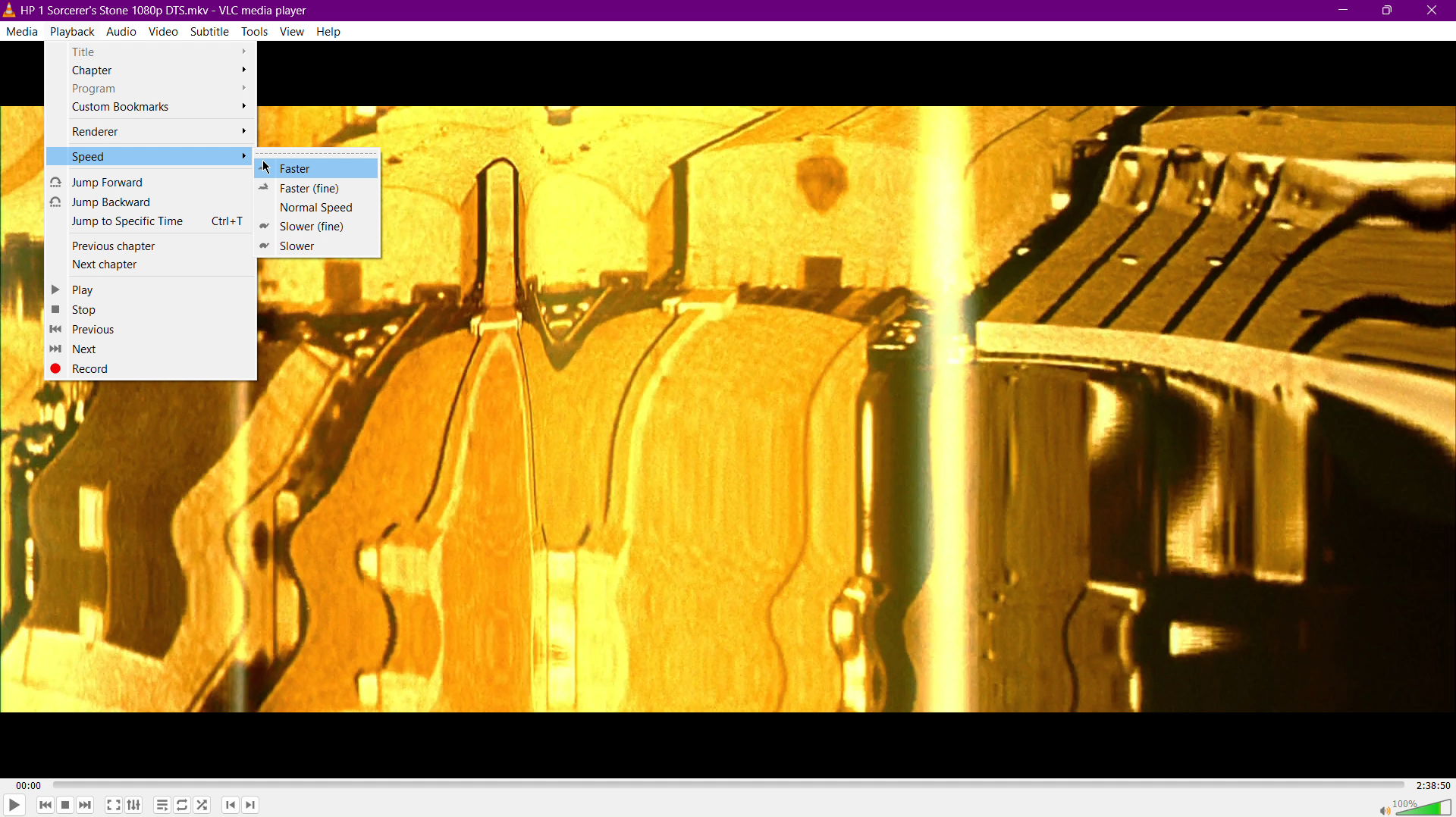 The image size is (1456, 817). Describe the element at coordinates (155, 89) in the screenshot. I see `Program` at that location.